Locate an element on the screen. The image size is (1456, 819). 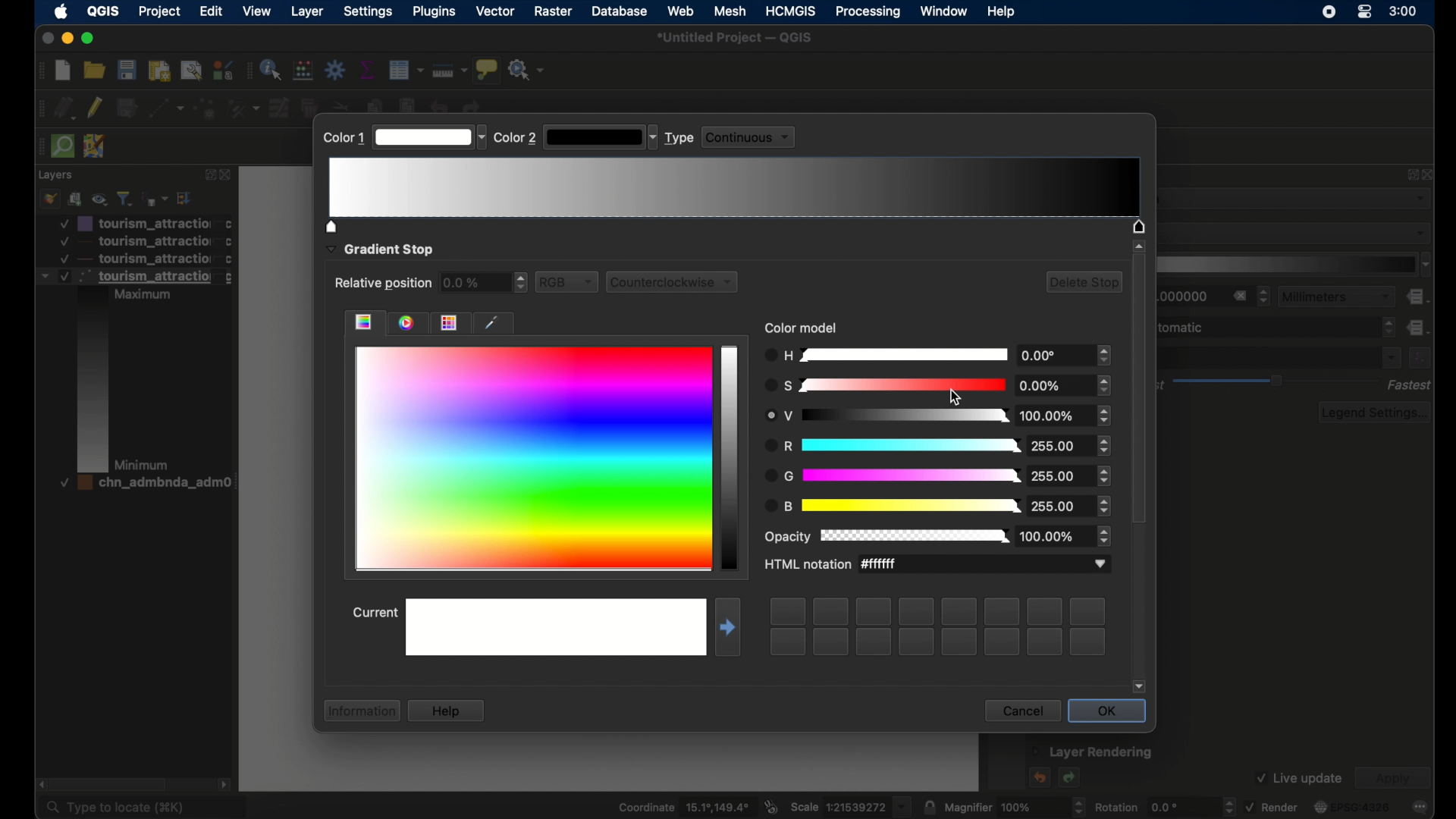
dropper is located at coordinates (495, 322).